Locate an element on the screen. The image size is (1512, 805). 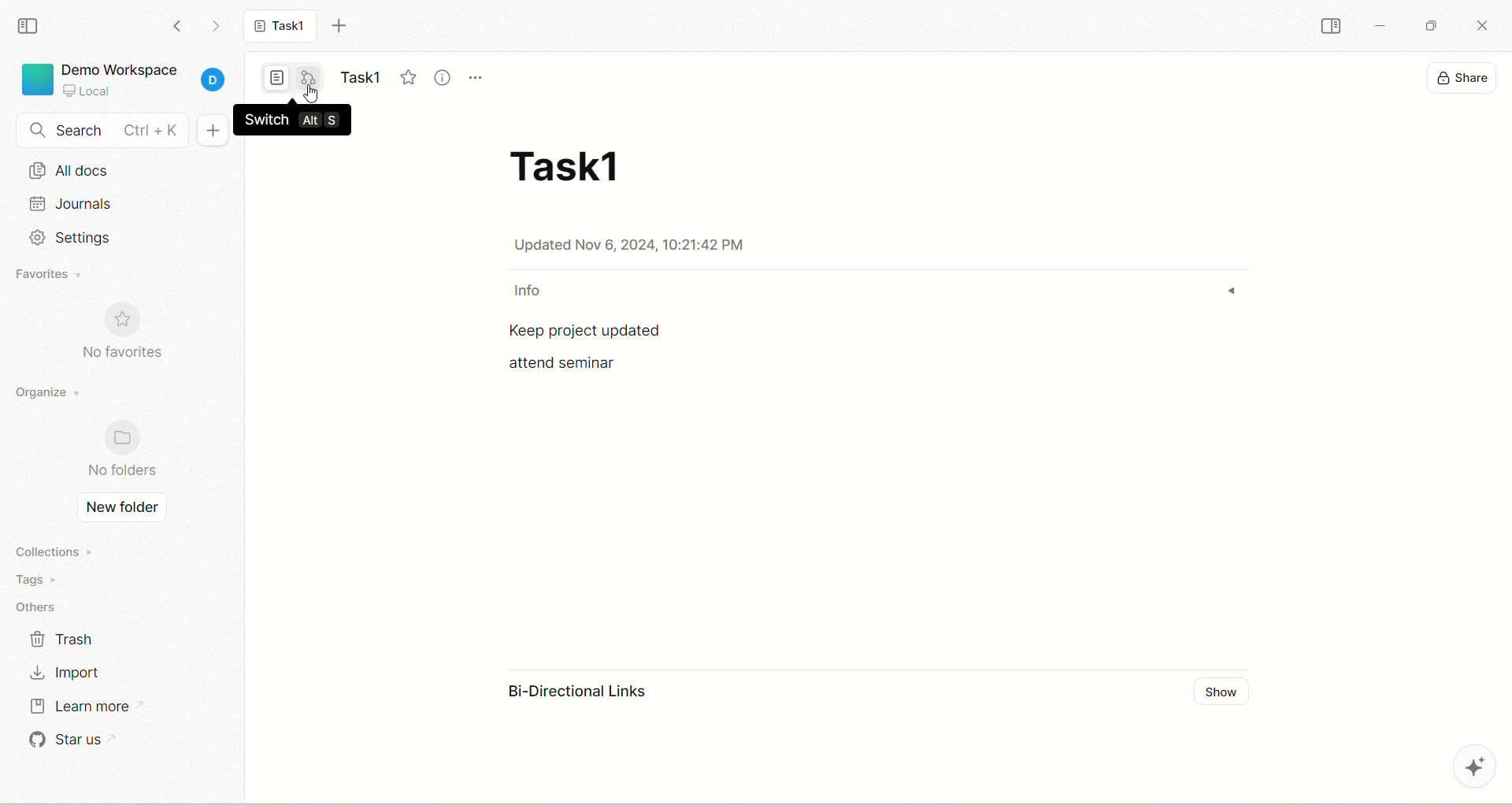
text - Keep project updated attend seminar is located at coordinates (590, 351).